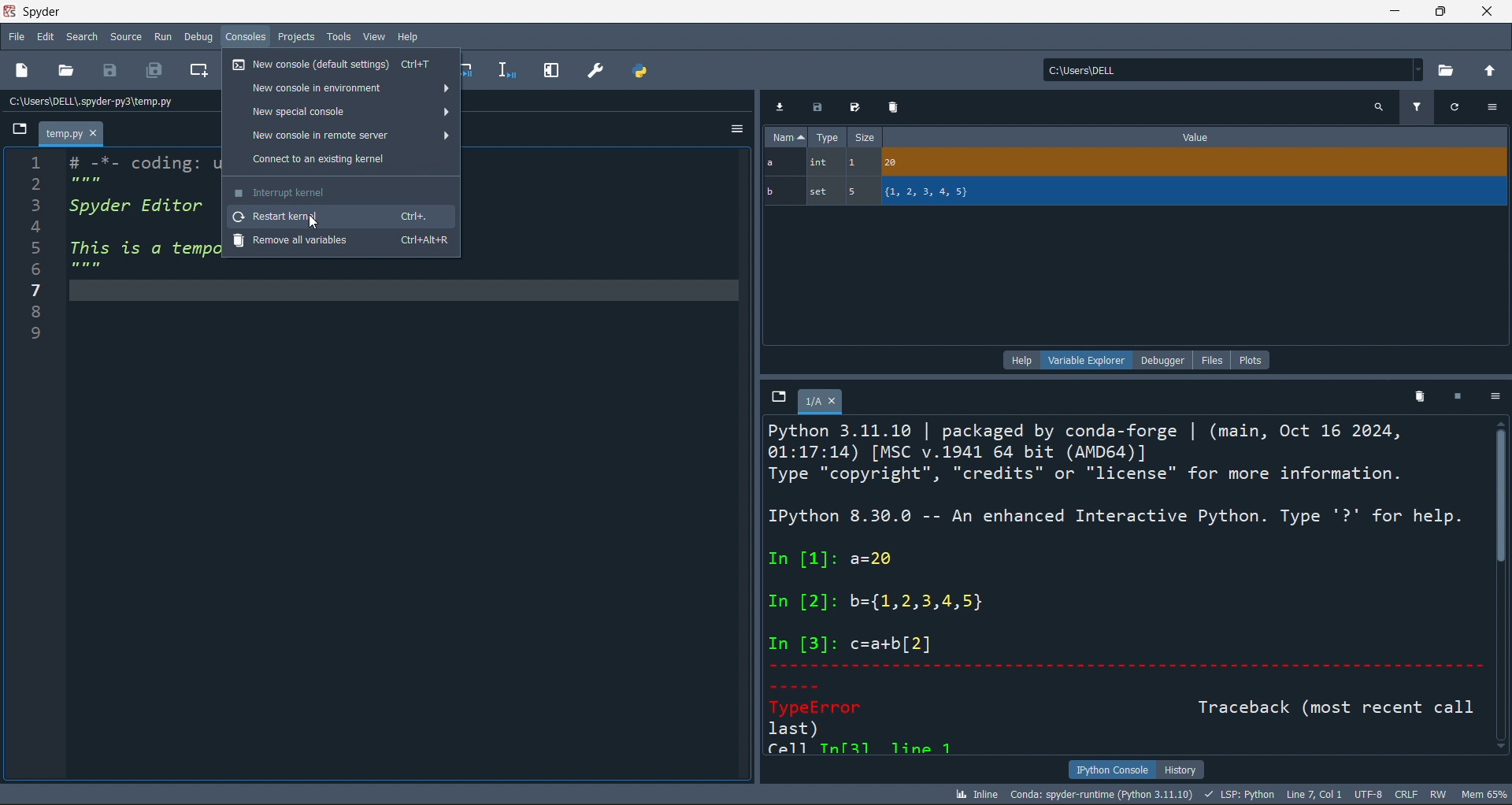 This screenshot has height=805, width=1512. What do you see at coordinates (1369, 795) in the screenshot?
I see `UTF-8` at bounding box center [1369, 795].